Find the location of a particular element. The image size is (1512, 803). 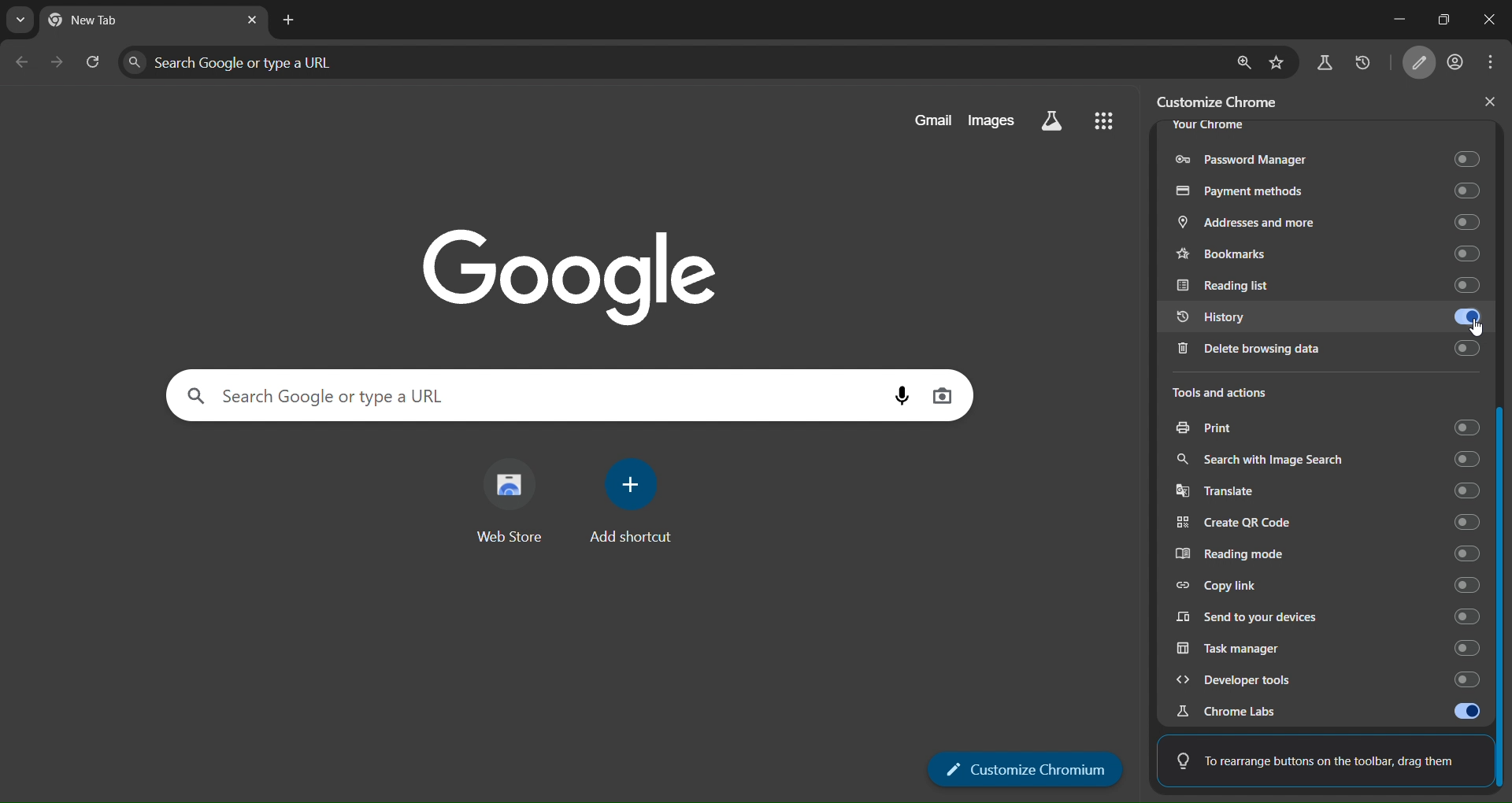

current tab is located at coordinates (105, 23).